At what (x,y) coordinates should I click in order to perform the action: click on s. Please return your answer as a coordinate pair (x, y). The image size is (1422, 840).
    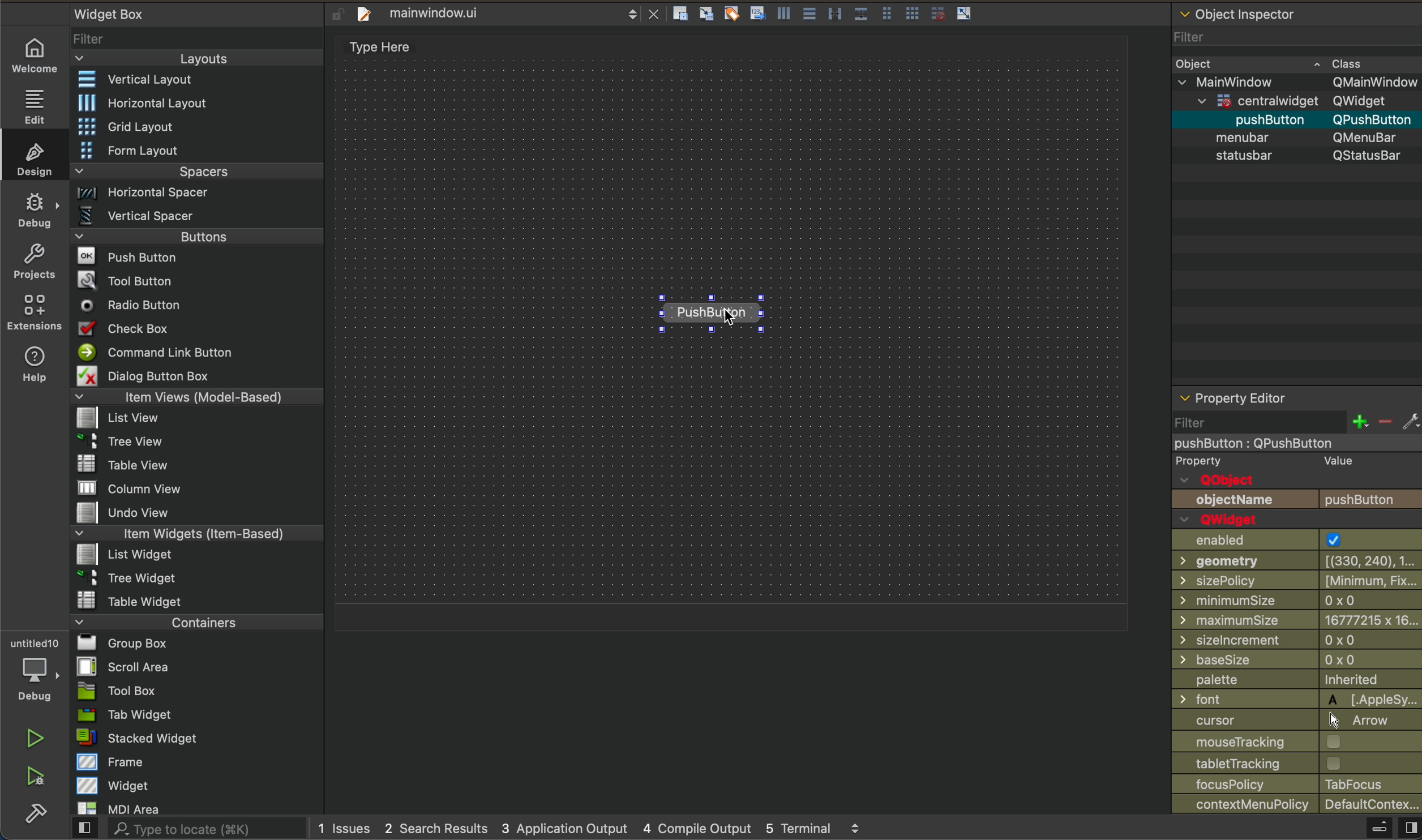
    Looking at the image, I should click on (1309, 156).